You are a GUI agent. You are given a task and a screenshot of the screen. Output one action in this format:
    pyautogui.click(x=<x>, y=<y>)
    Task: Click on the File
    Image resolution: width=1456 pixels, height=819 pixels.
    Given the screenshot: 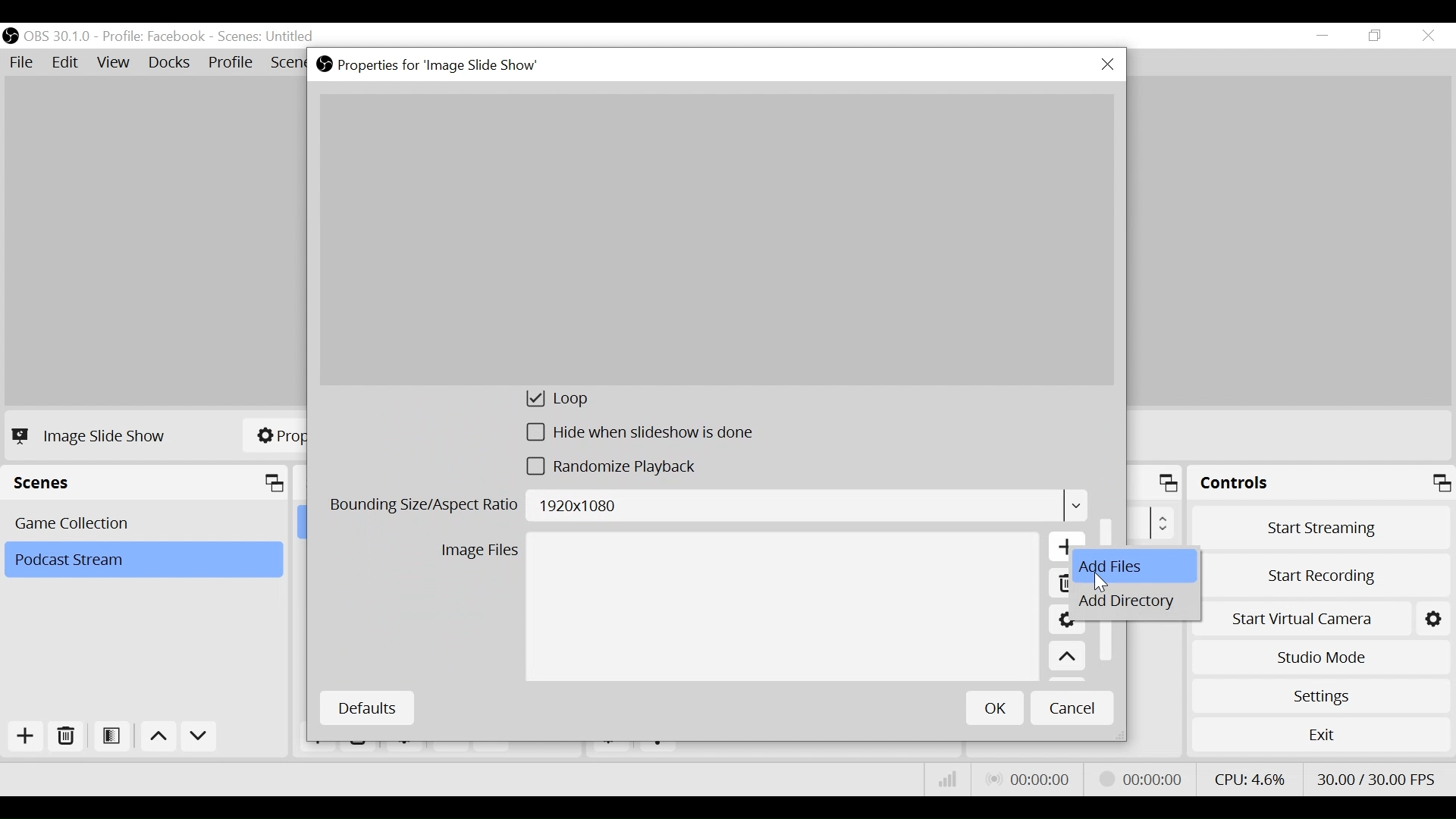 What is the action you would take?
    pyautogui.click(x=24, y=63)
    